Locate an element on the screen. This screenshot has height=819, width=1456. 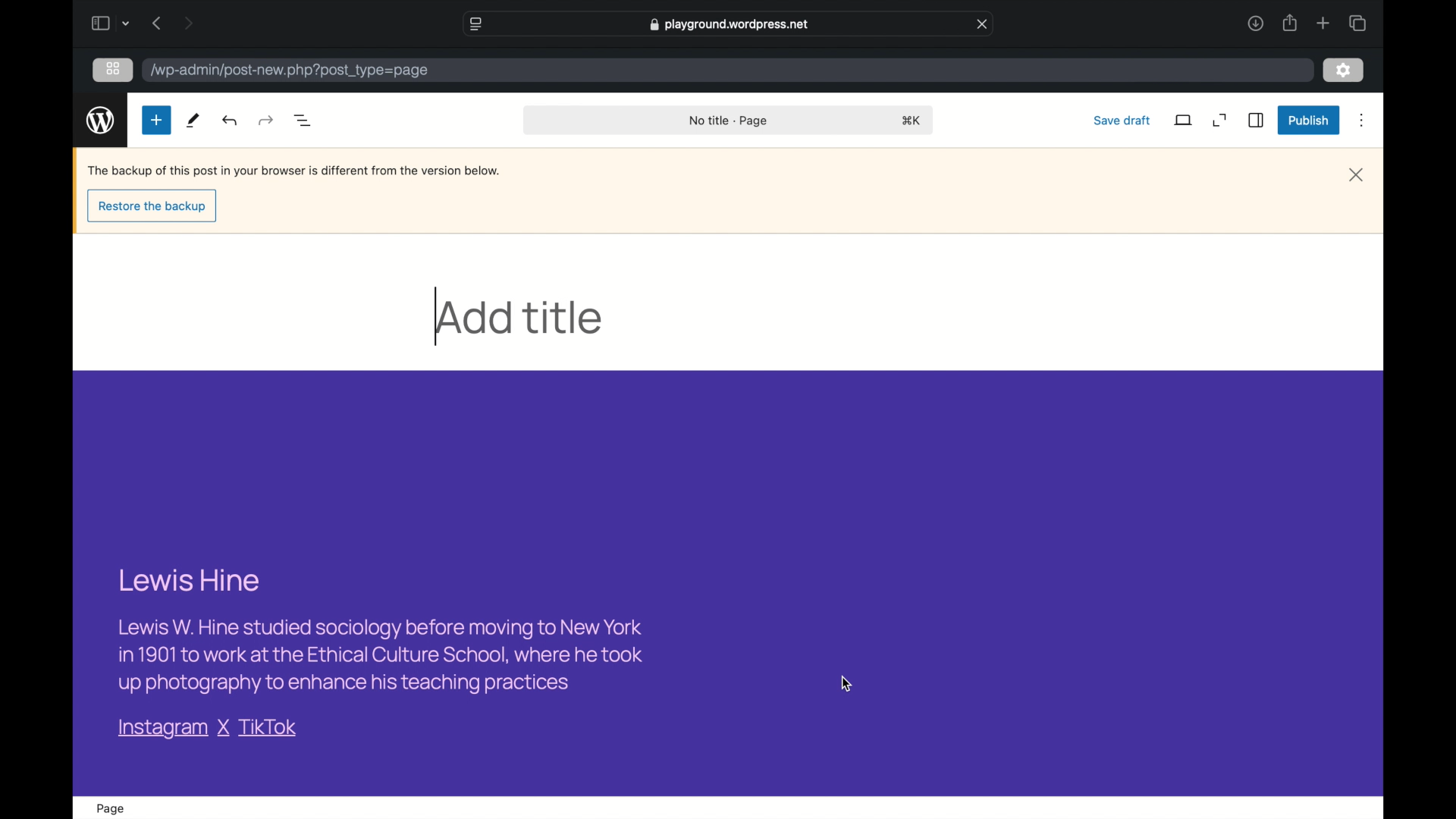
page is located at coordinates (110, 808).